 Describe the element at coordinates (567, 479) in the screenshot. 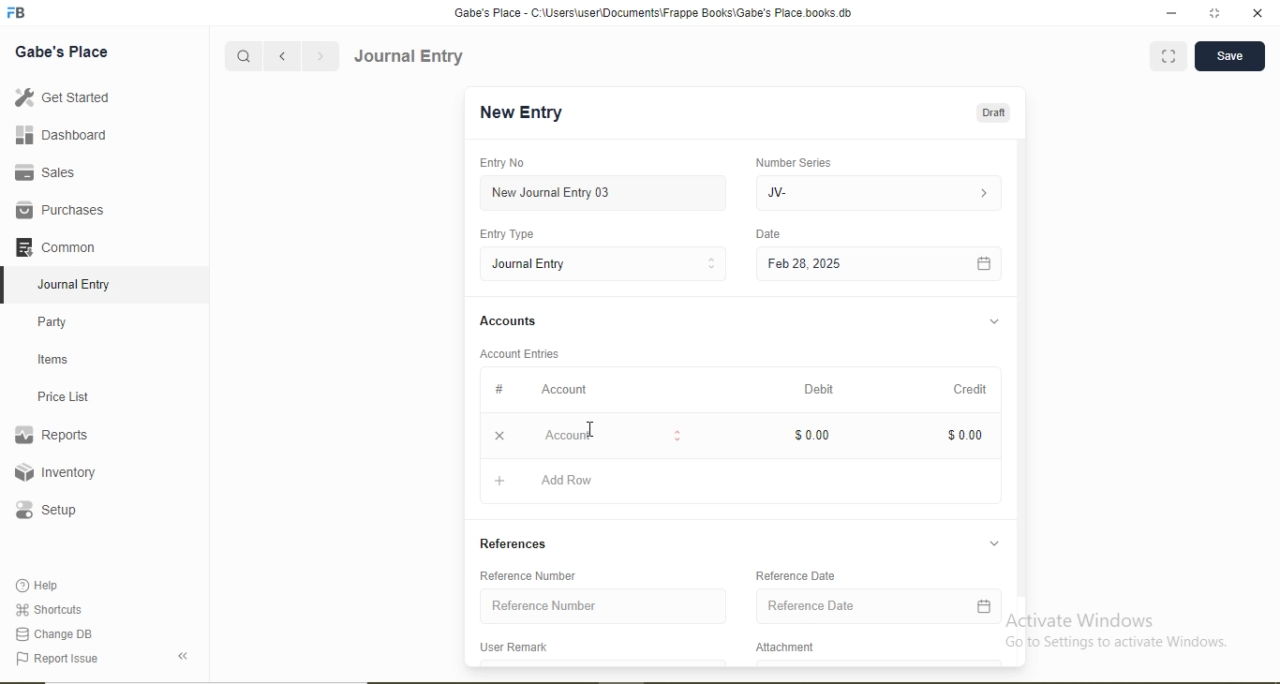

I see `Add Row` at that location.